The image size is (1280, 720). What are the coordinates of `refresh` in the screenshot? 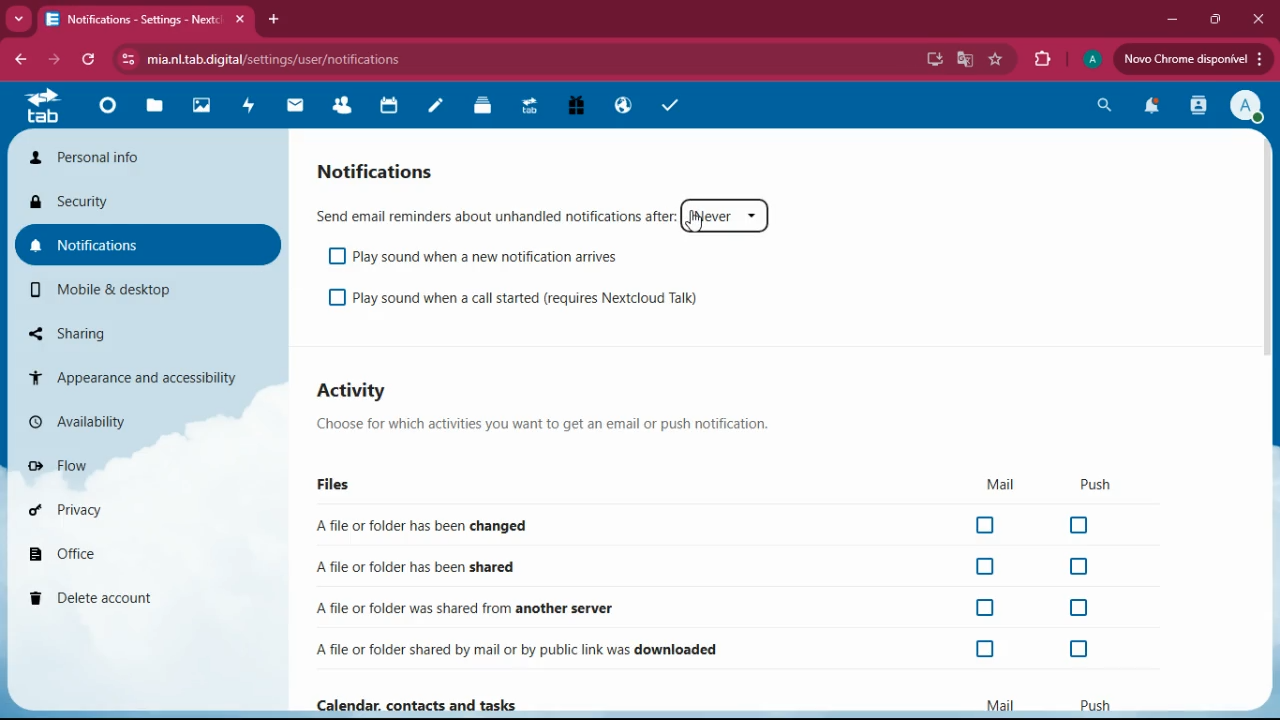 It's located at (90, 60).